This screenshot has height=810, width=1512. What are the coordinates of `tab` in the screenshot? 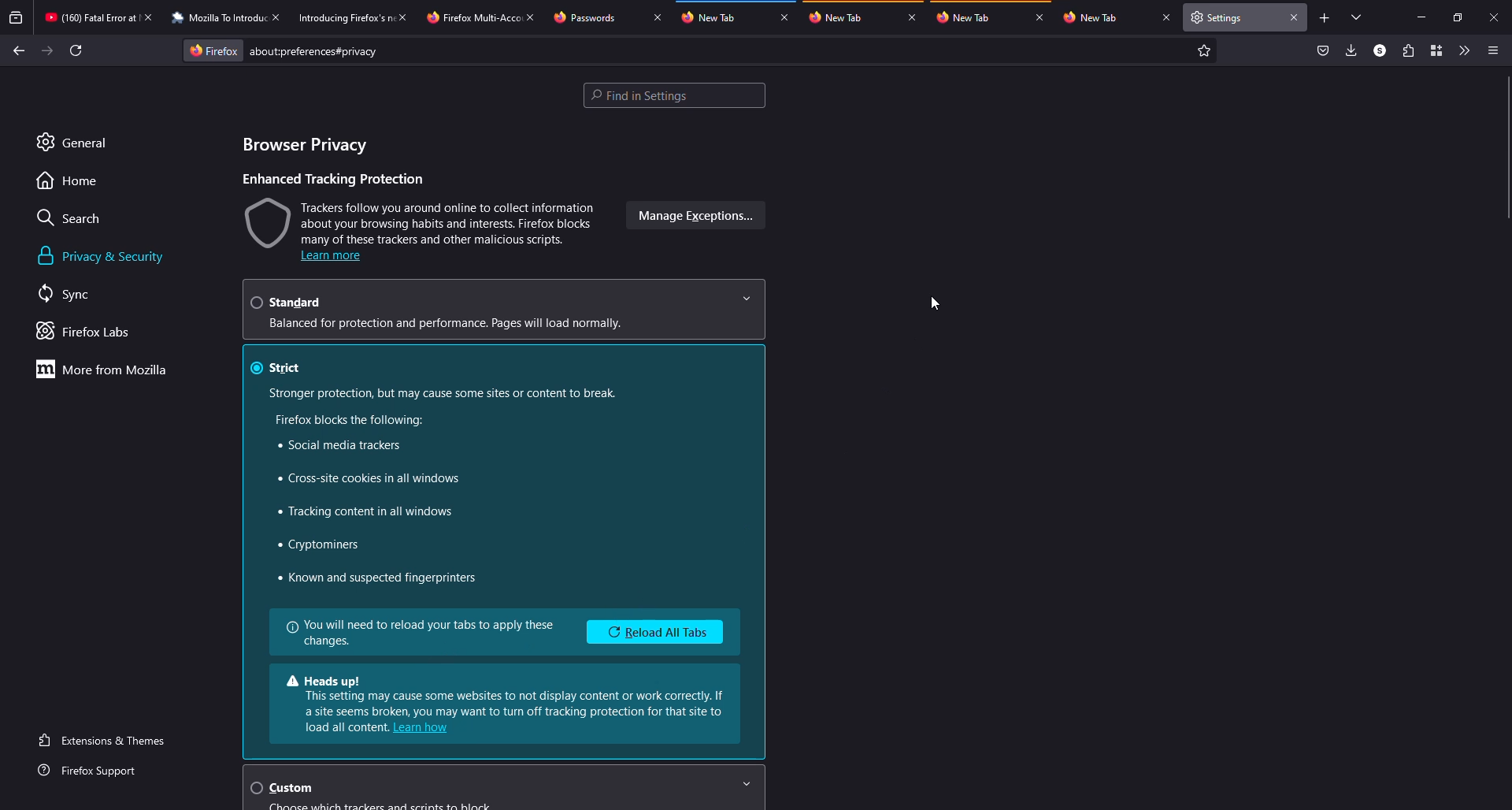 It's located at (839, 17).